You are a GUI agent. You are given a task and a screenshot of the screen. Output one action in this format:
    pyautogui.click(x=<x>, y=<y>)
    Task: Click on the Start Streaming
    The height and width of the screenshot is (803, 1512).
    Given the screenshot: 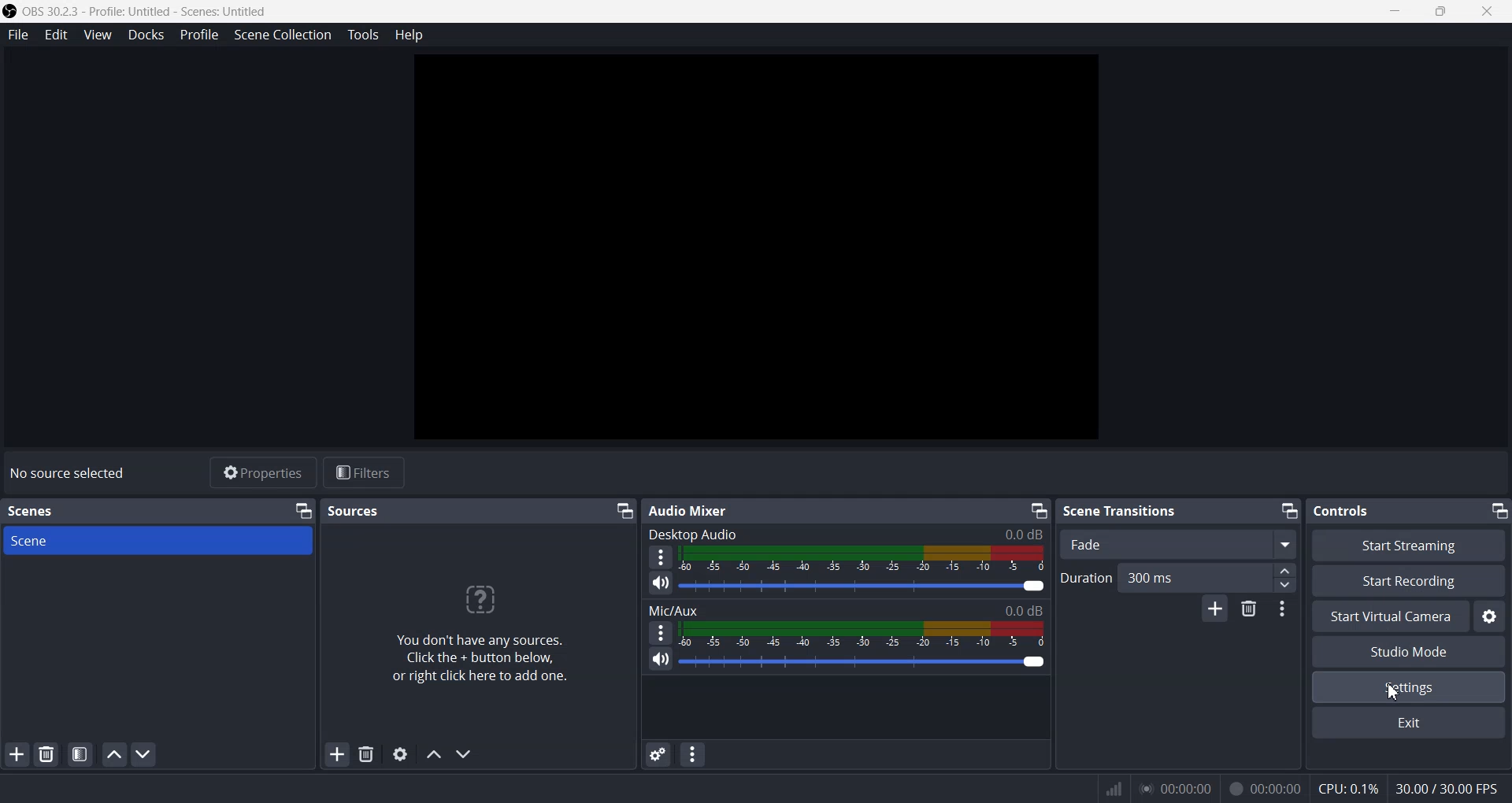 What is the action you would take?
    pyautogui.click(x=1407, y=545)
    